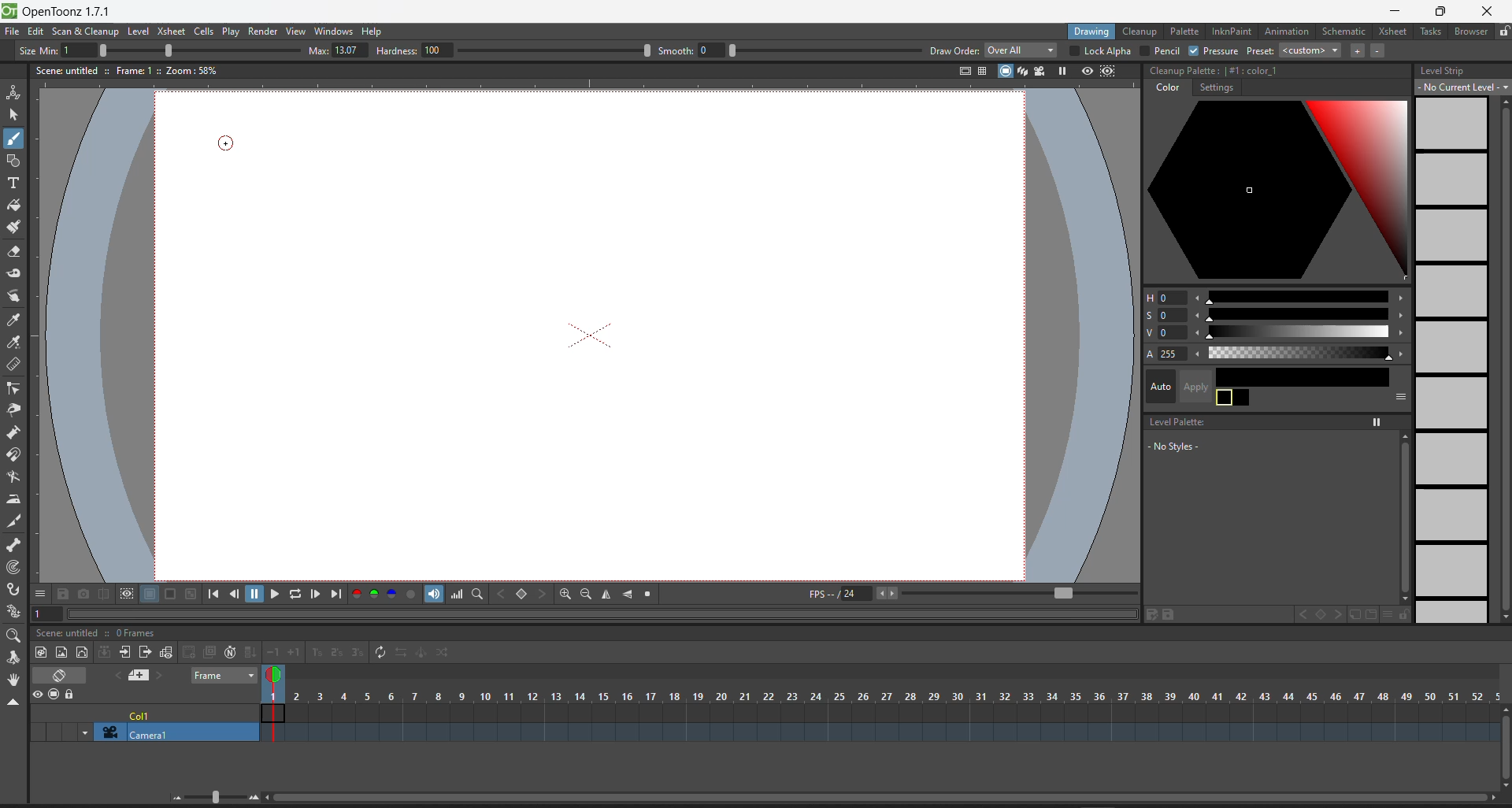 This screenshot has width=1512, height=808. What do you see at coordinates (104, 593) in the screenshot?
I see `compare to a snapshot` at bounding box center [104, 593].